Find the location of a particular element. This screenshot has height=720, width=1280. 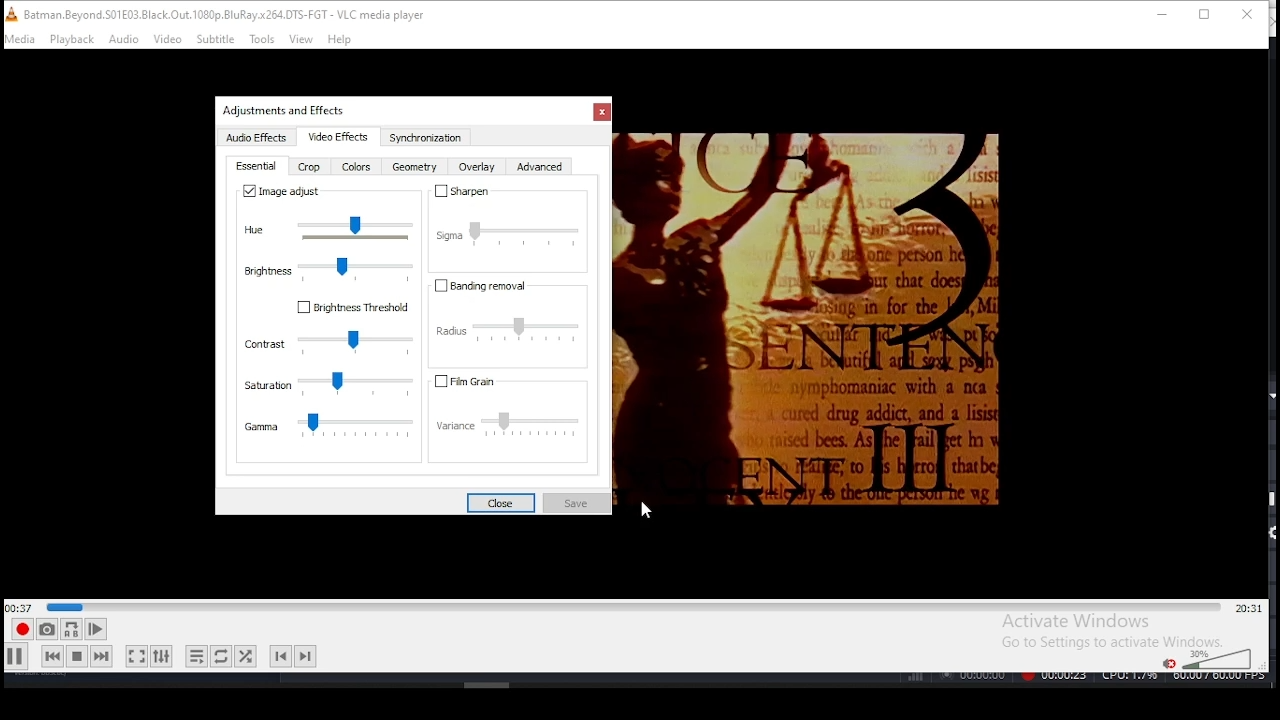

sigma is located at coordinates (508, 229).